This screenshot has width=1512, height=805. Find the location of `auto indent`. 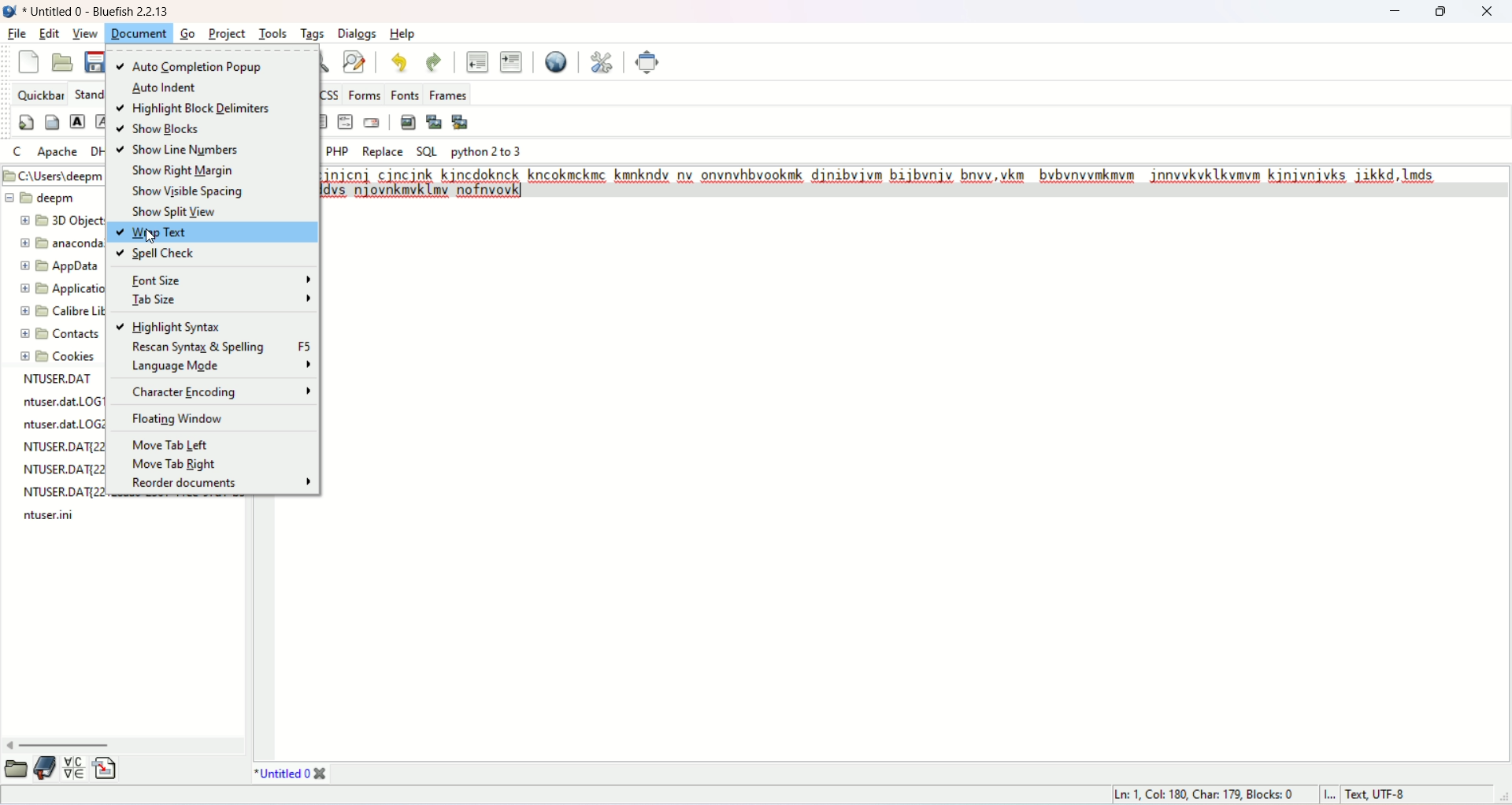

auto indent is located at coordinates (165, 87).